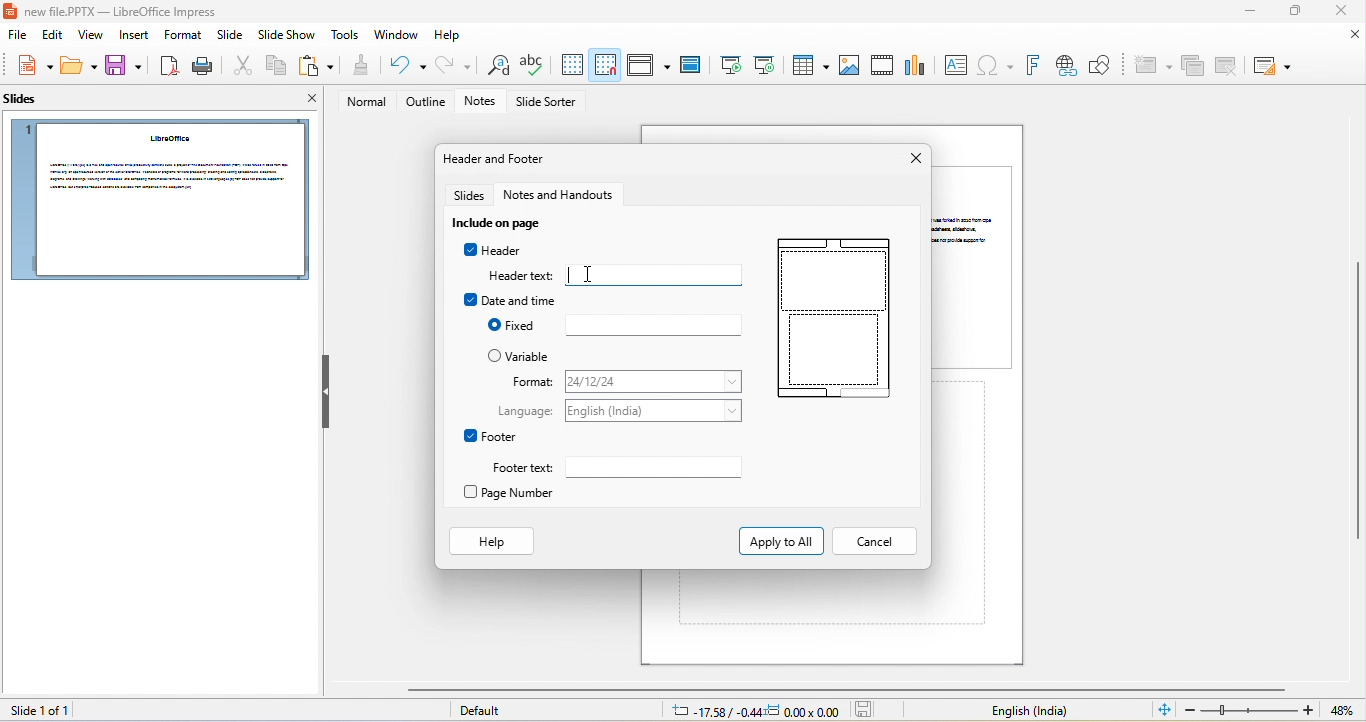 The width and height of the screenshot is (1366, 722). Describe the element at coordinates (491, 250) in the screenshot. I see `Header` at that location.